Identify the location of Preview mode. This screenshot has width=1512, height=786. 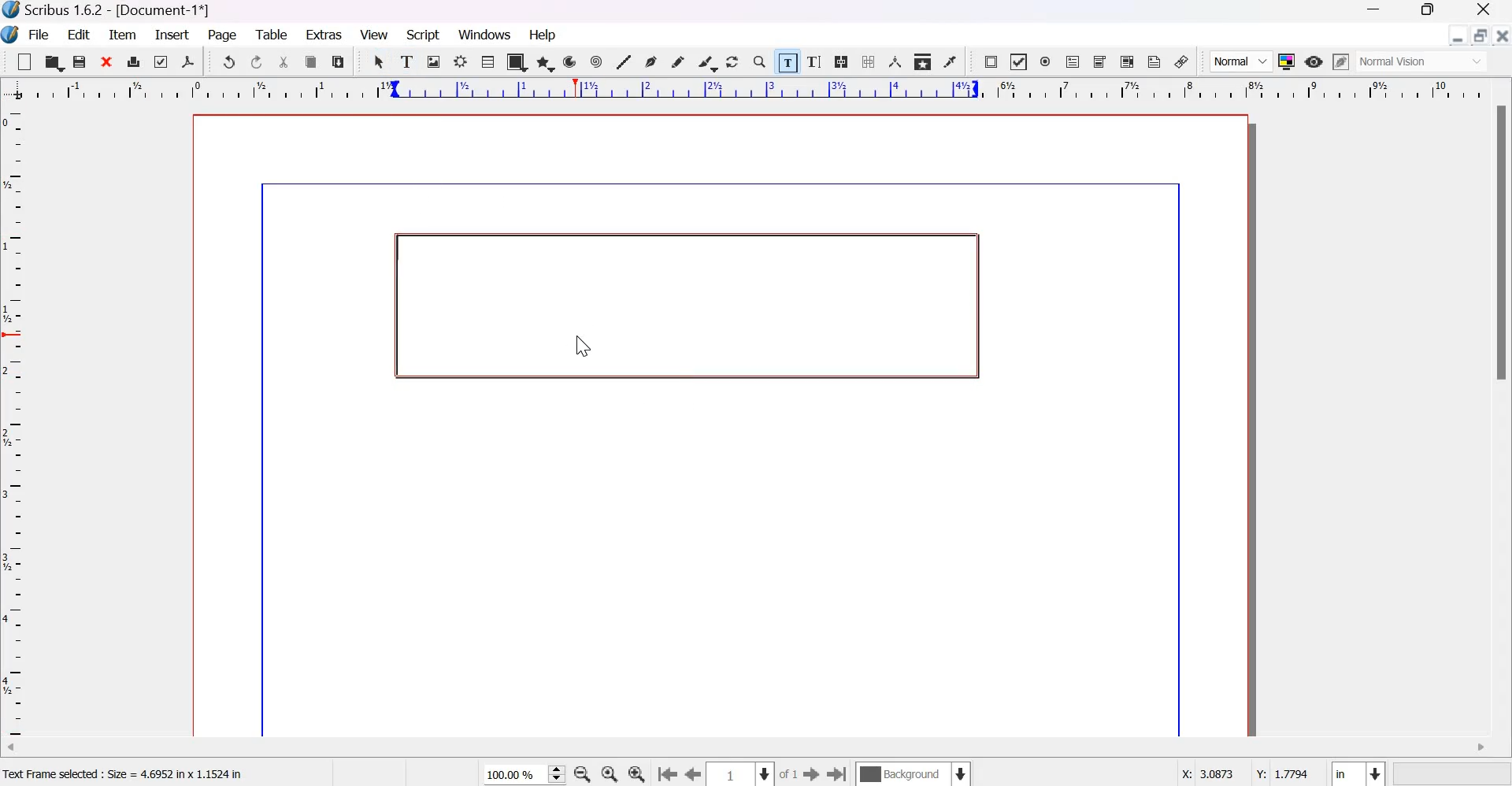
(1314, 63).